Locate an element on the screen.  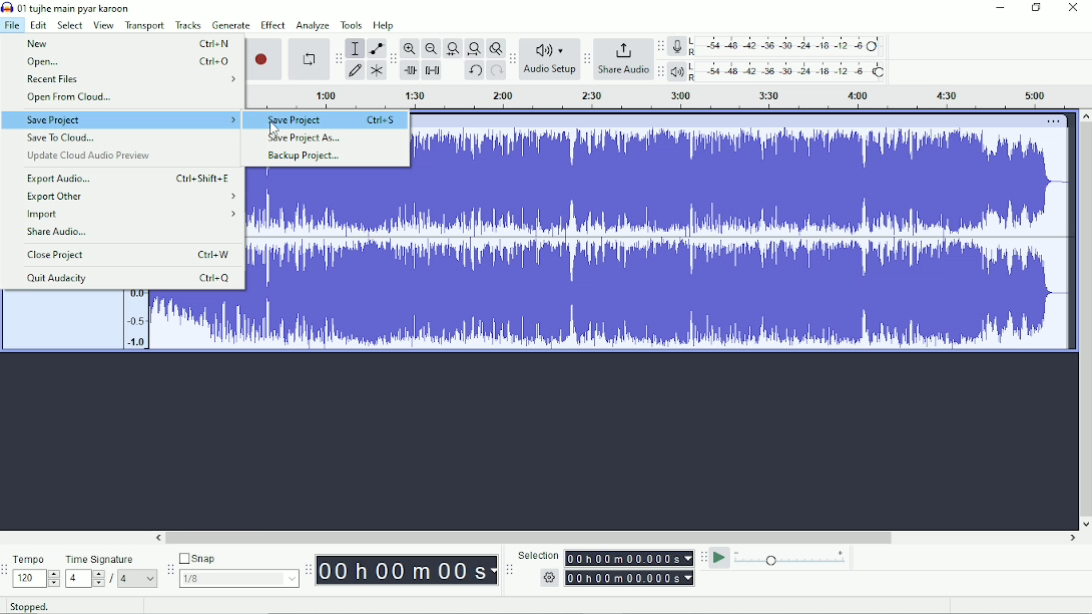
Audacity edit toolbar is located at coordinates (392, 60).